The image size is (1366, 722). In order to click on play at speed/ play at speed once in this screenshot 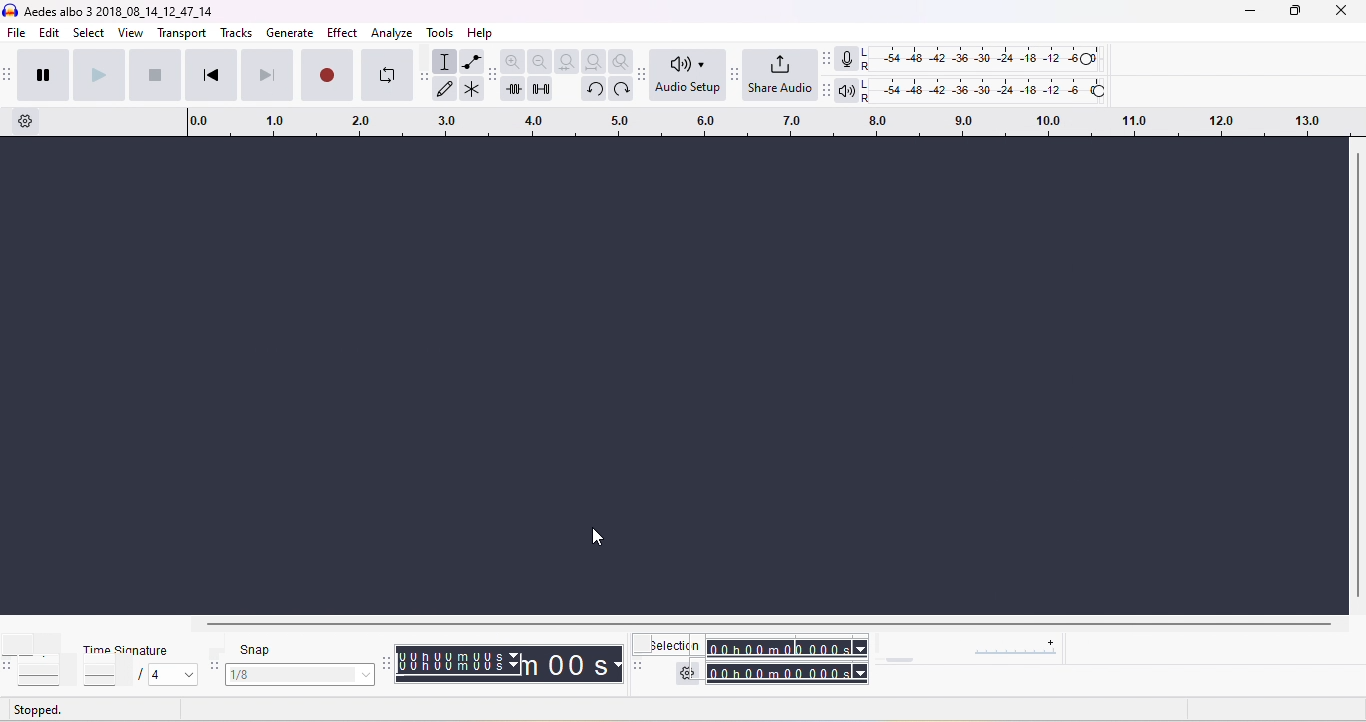, I will do `click(900, 650)`.